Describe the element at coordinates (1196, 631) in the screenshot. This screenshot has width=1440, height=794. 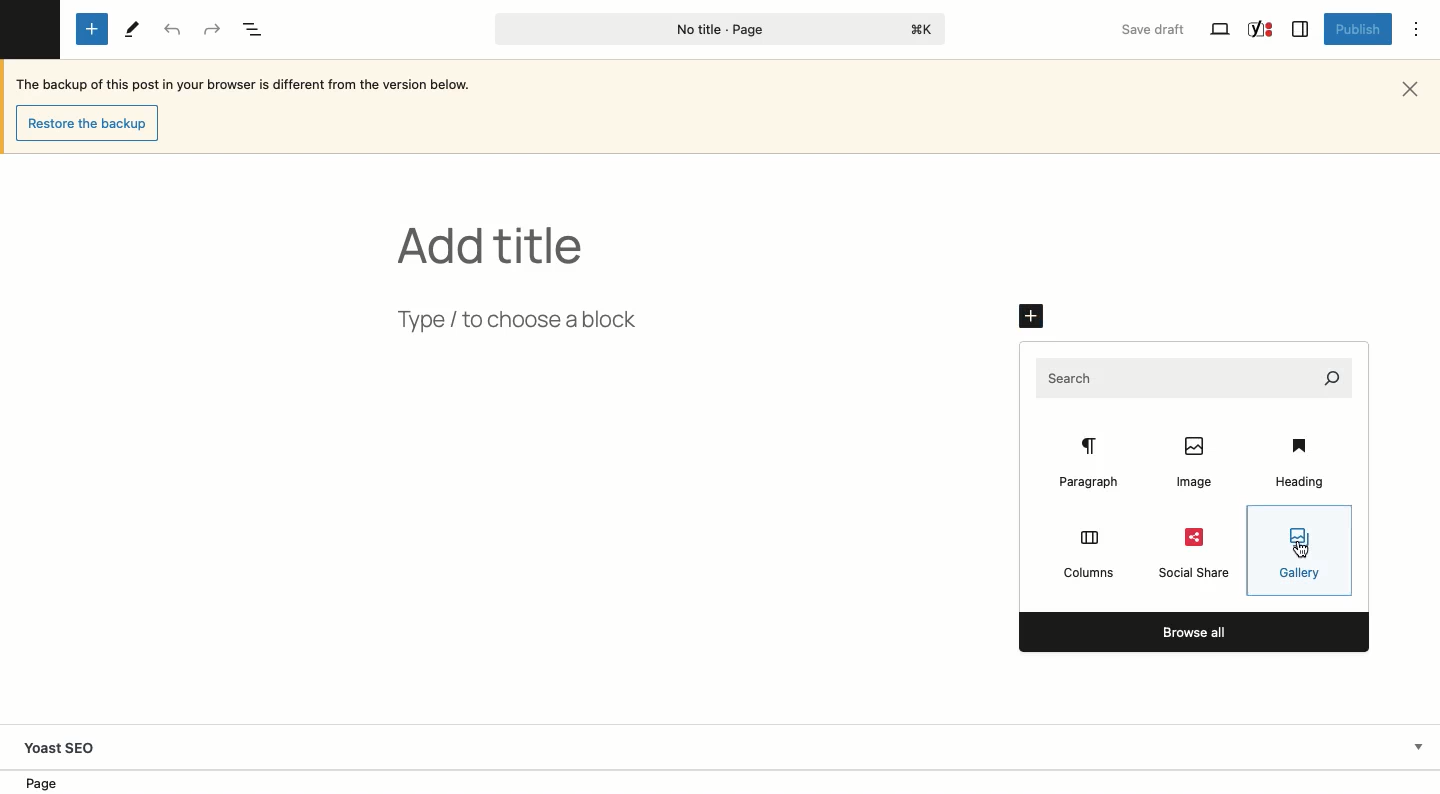
I see `Browse all` at that location.